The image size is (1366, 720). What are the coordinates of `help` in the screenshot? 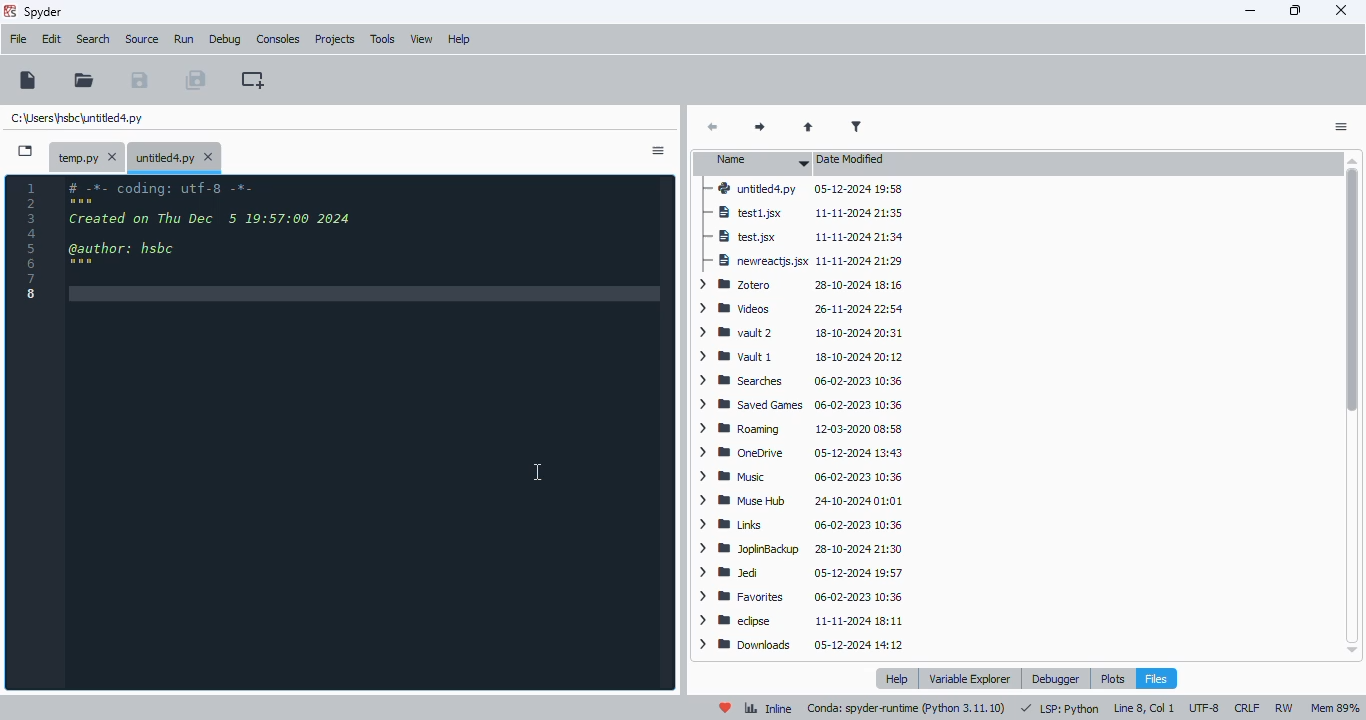 It's located at (896, 679).